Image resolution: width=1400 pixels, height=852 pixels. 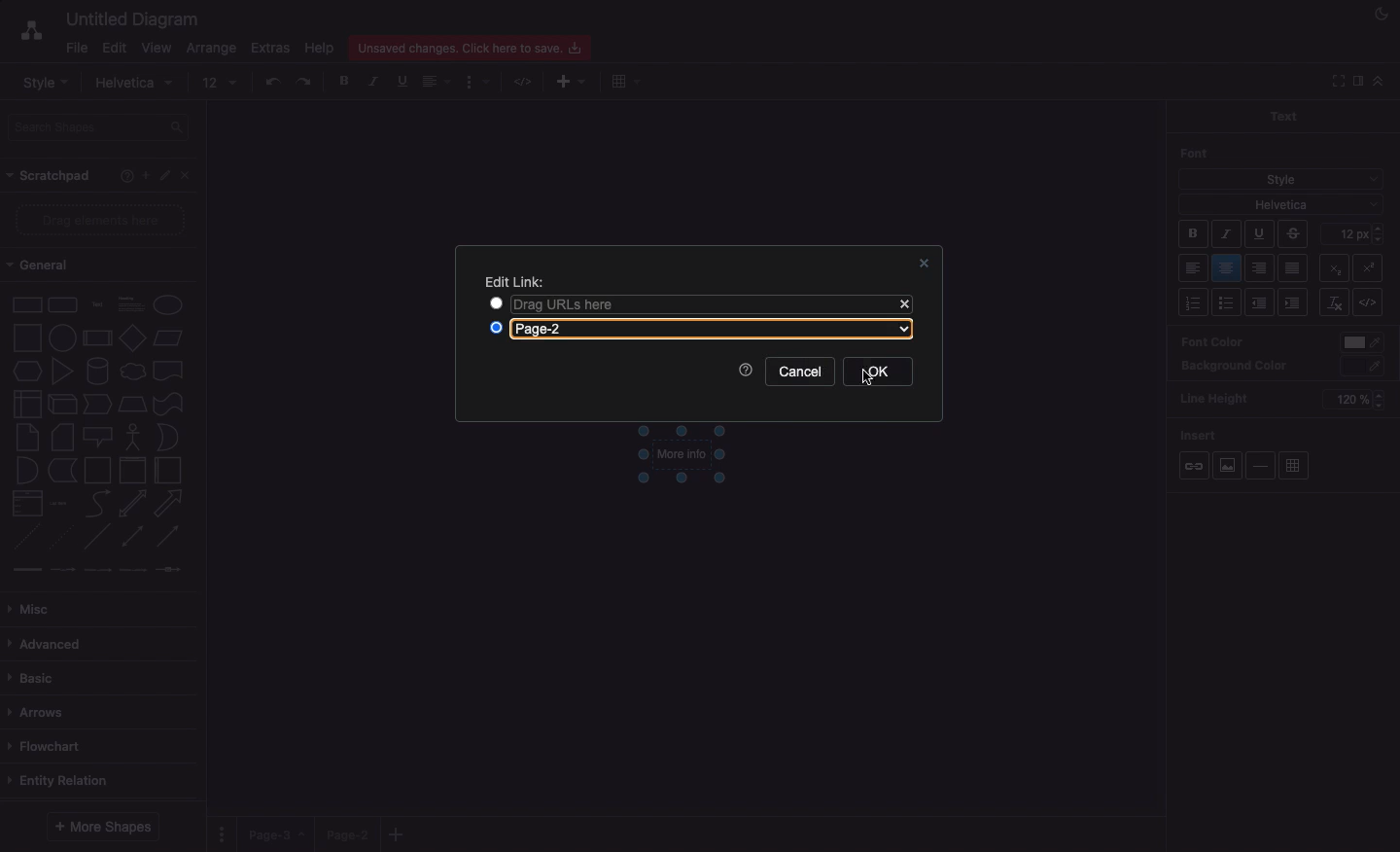 I want to click on checkbox, so click(x=494, y=302).